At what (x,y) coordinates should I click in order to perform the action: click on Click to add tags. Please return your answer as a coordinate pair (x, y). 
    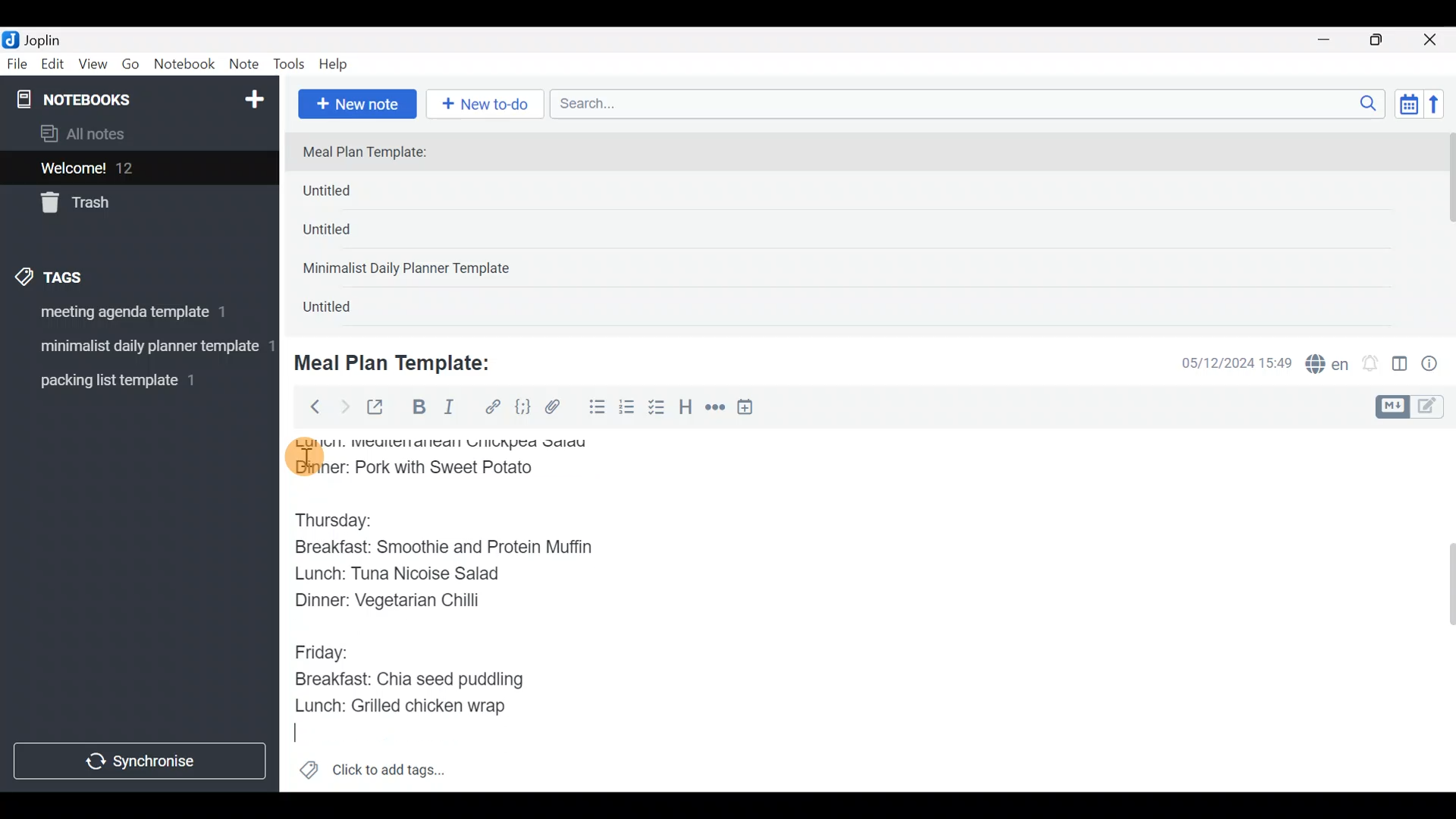
    Looking at the image, I should click on (372, 775).